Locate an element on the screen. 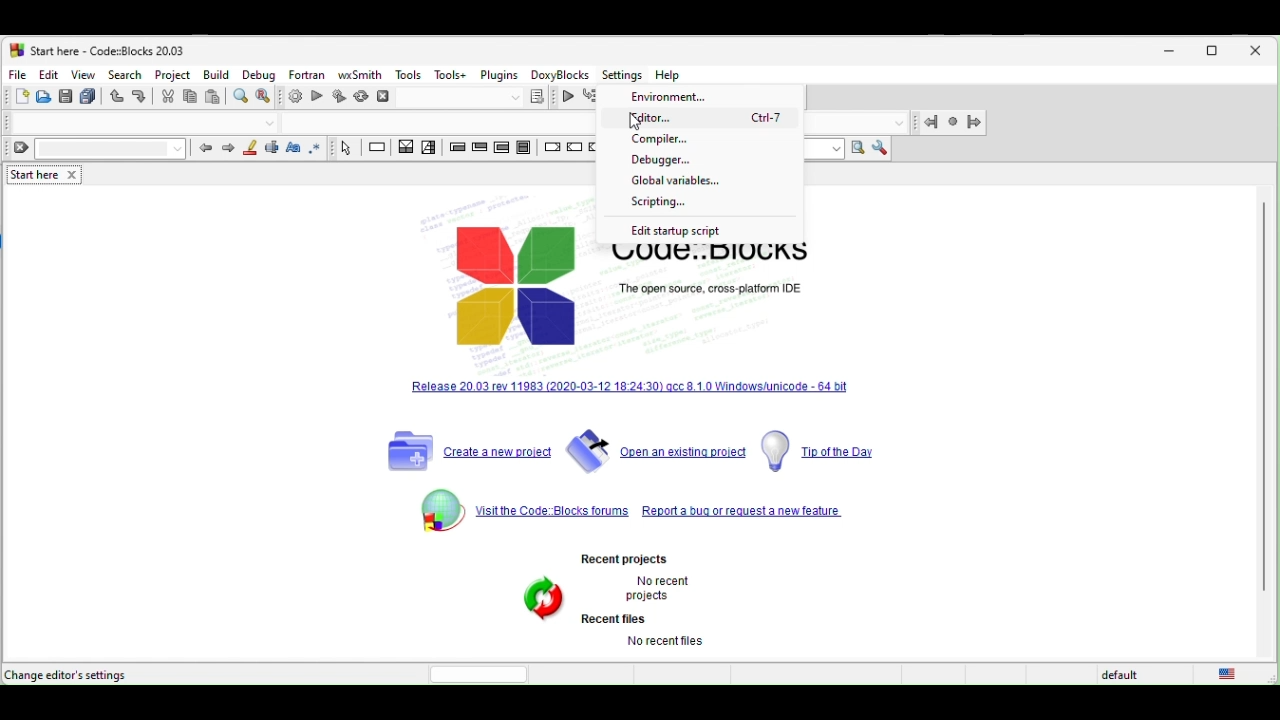  view is located at coordinates (84, 74).